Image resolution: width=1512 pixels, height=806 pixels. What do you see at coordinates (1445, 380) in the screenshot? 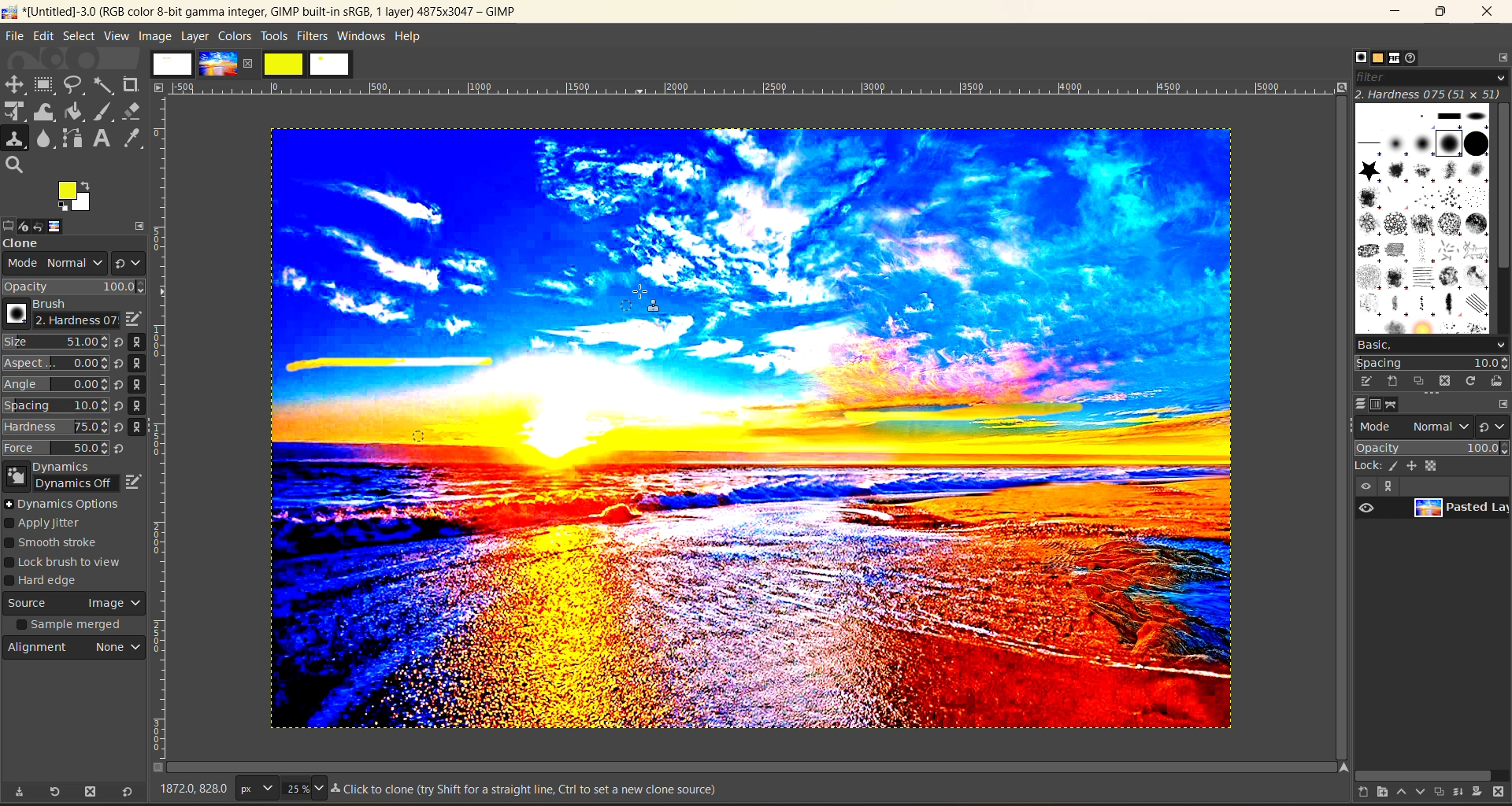
I see `delete this brush` at bounding box center [1445, 380].